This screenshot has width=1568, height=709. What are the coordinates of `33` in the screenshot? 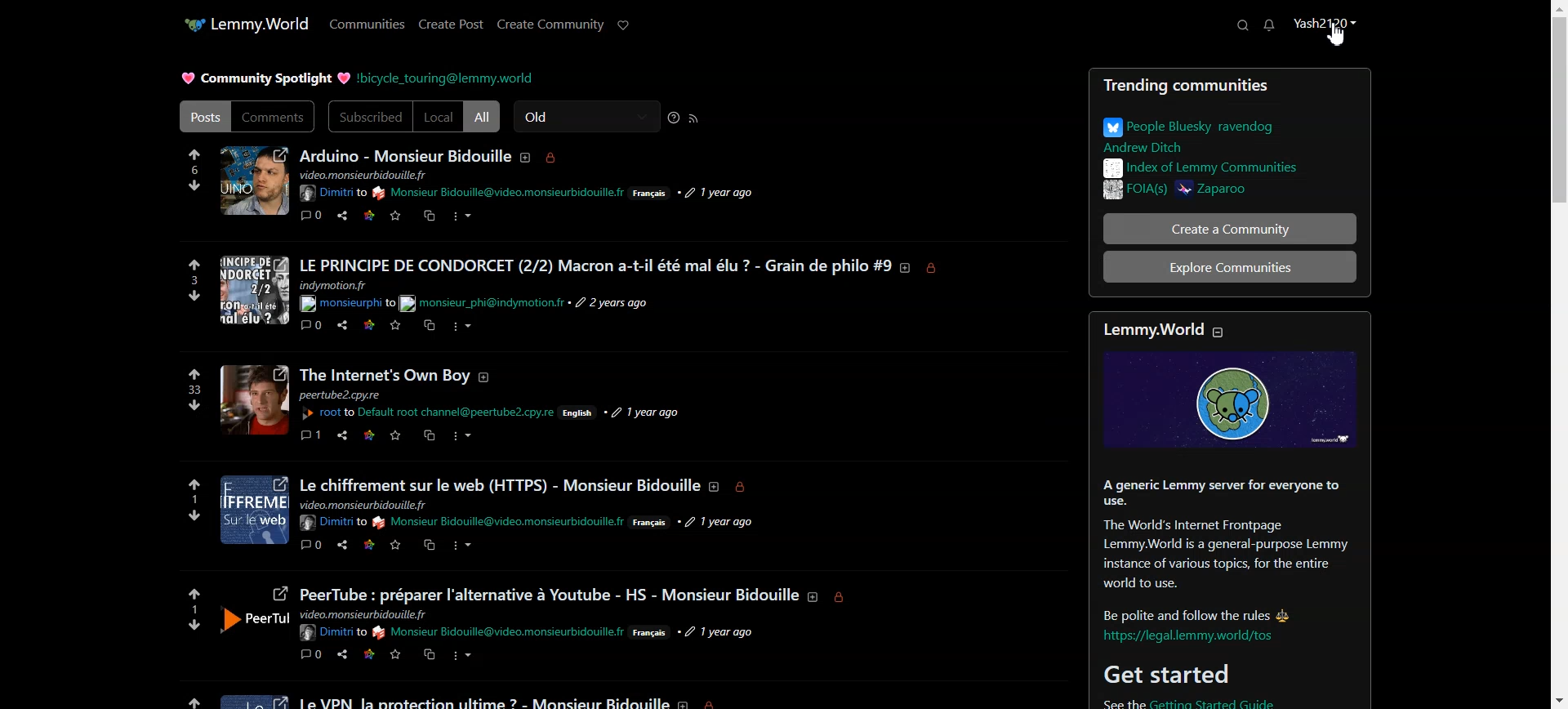 It's located at (190, 390).